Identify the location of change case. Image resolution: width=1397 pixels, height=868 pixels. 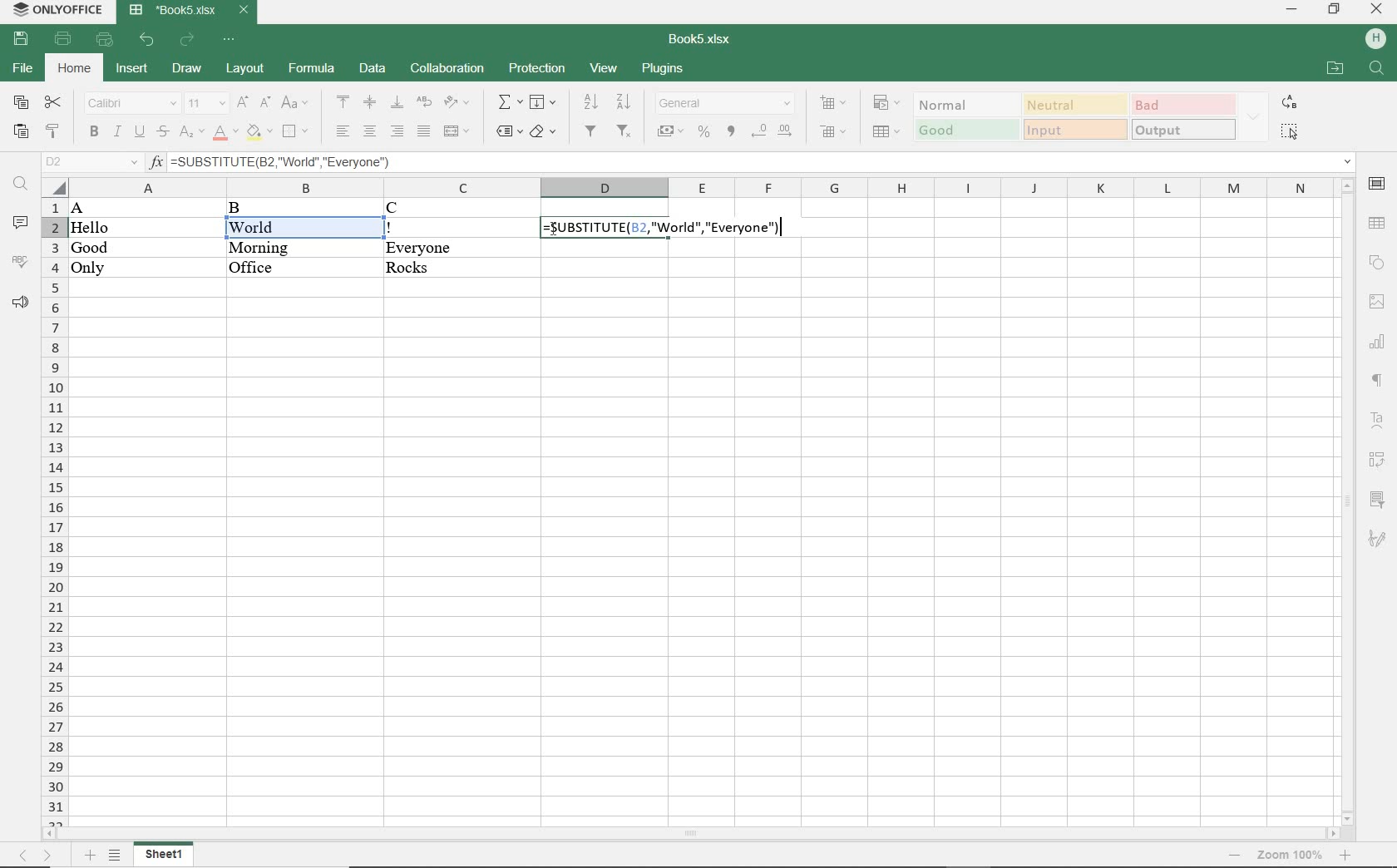
(294, 104).